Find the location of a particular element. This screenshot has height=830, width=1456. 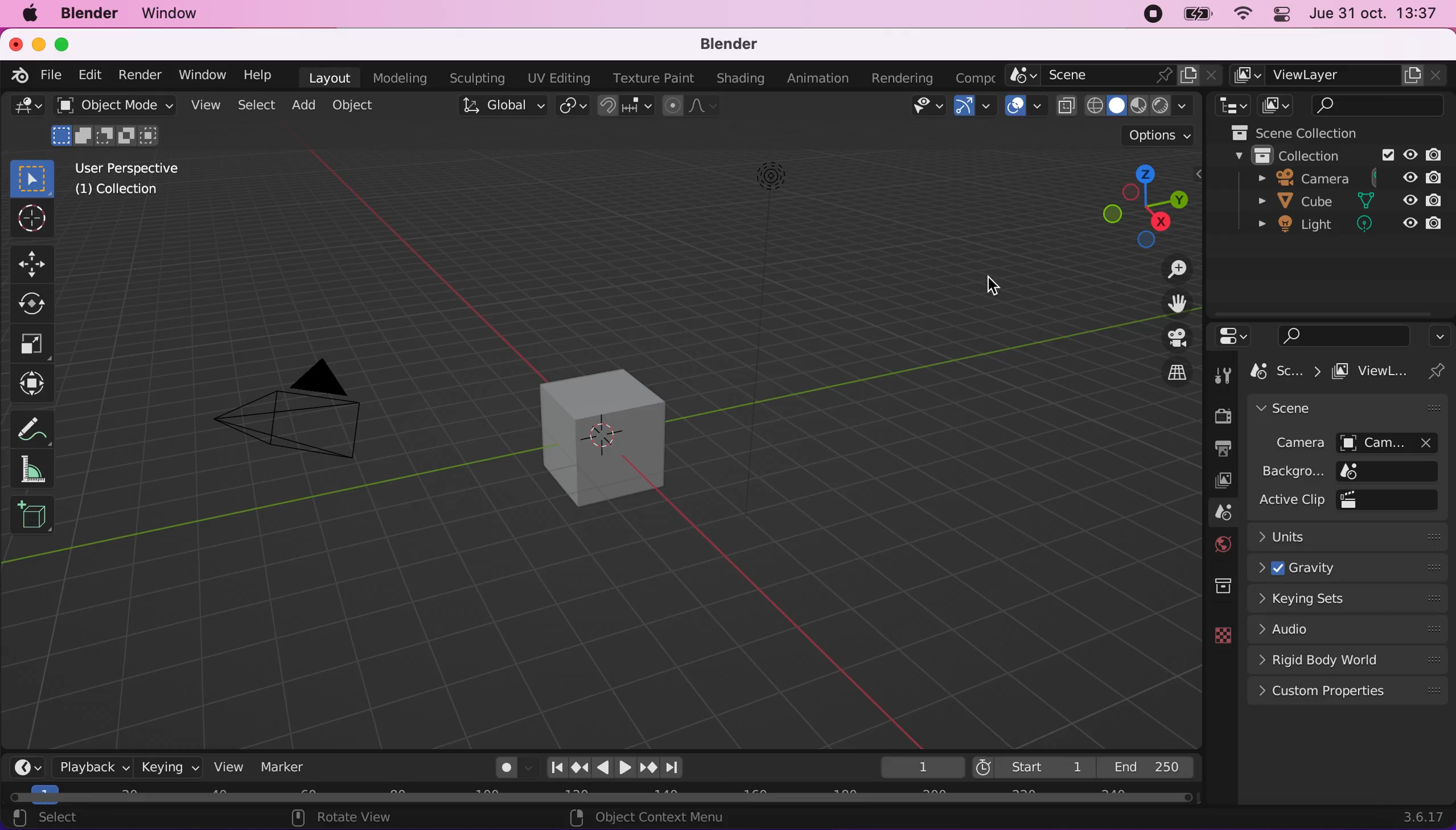

global is located at coordinates (497, 109).